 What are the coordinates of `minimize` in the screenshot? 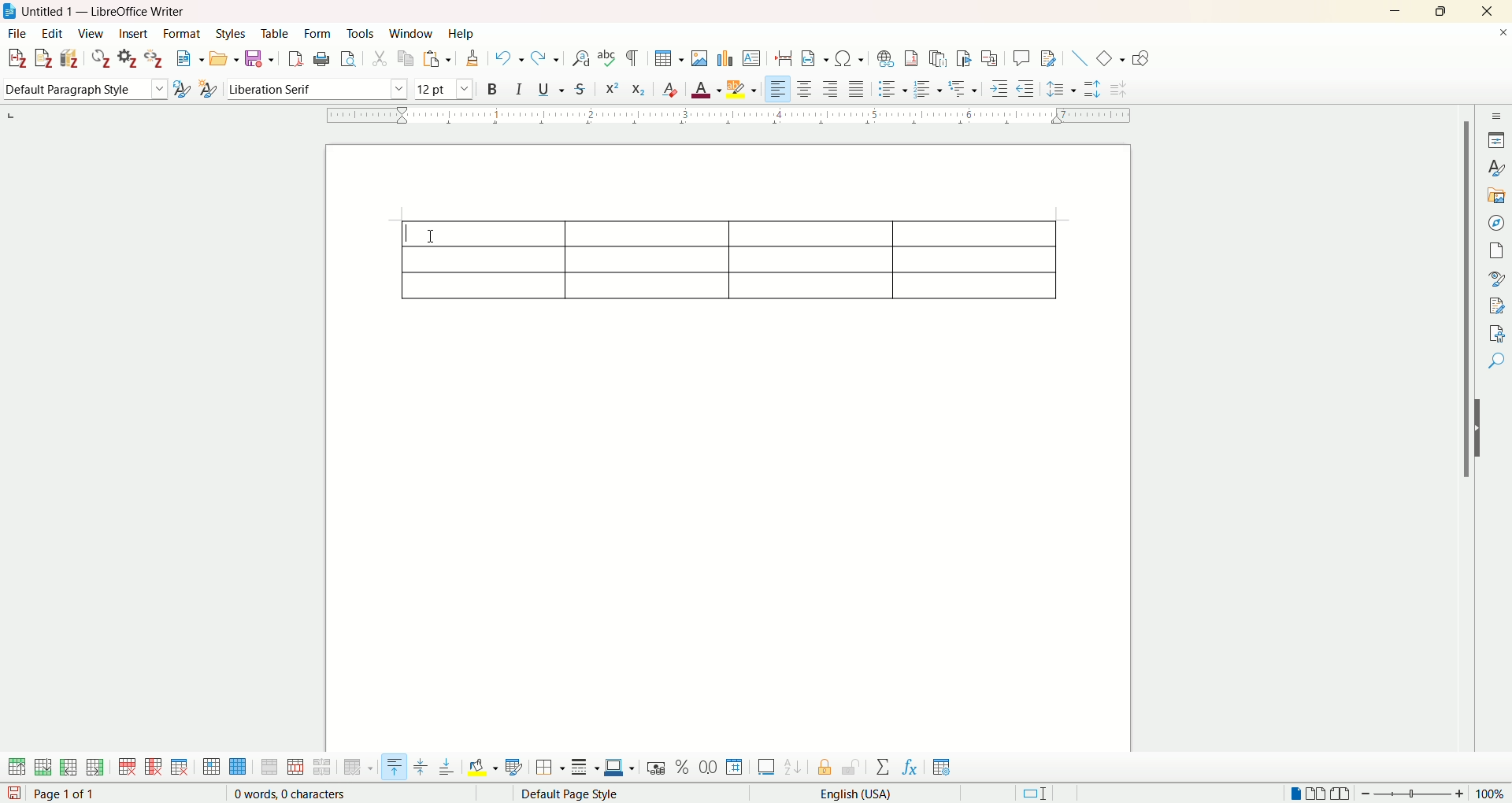 It's located at (1389, 13).